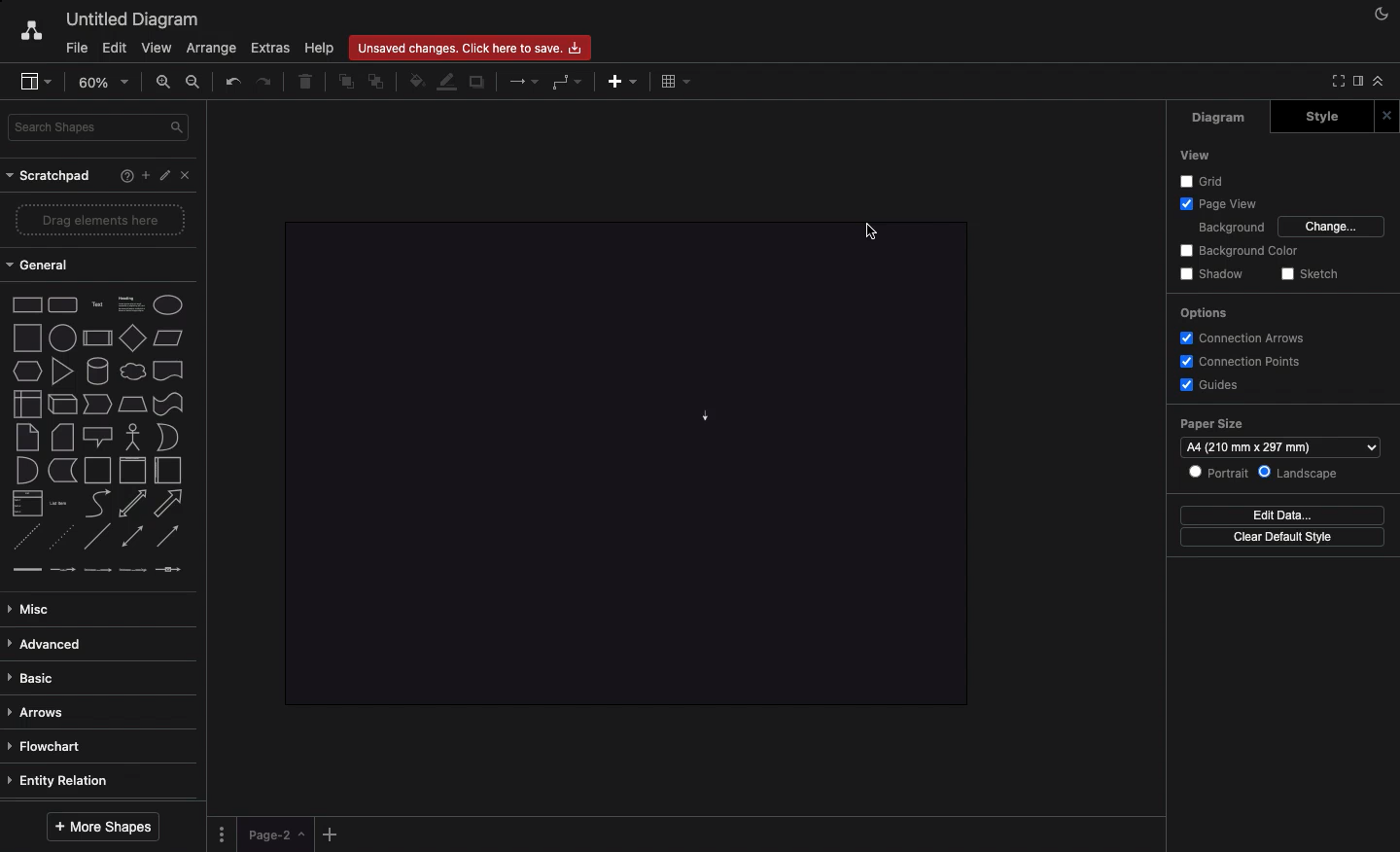  I want to click on Page, so click(277, 834).